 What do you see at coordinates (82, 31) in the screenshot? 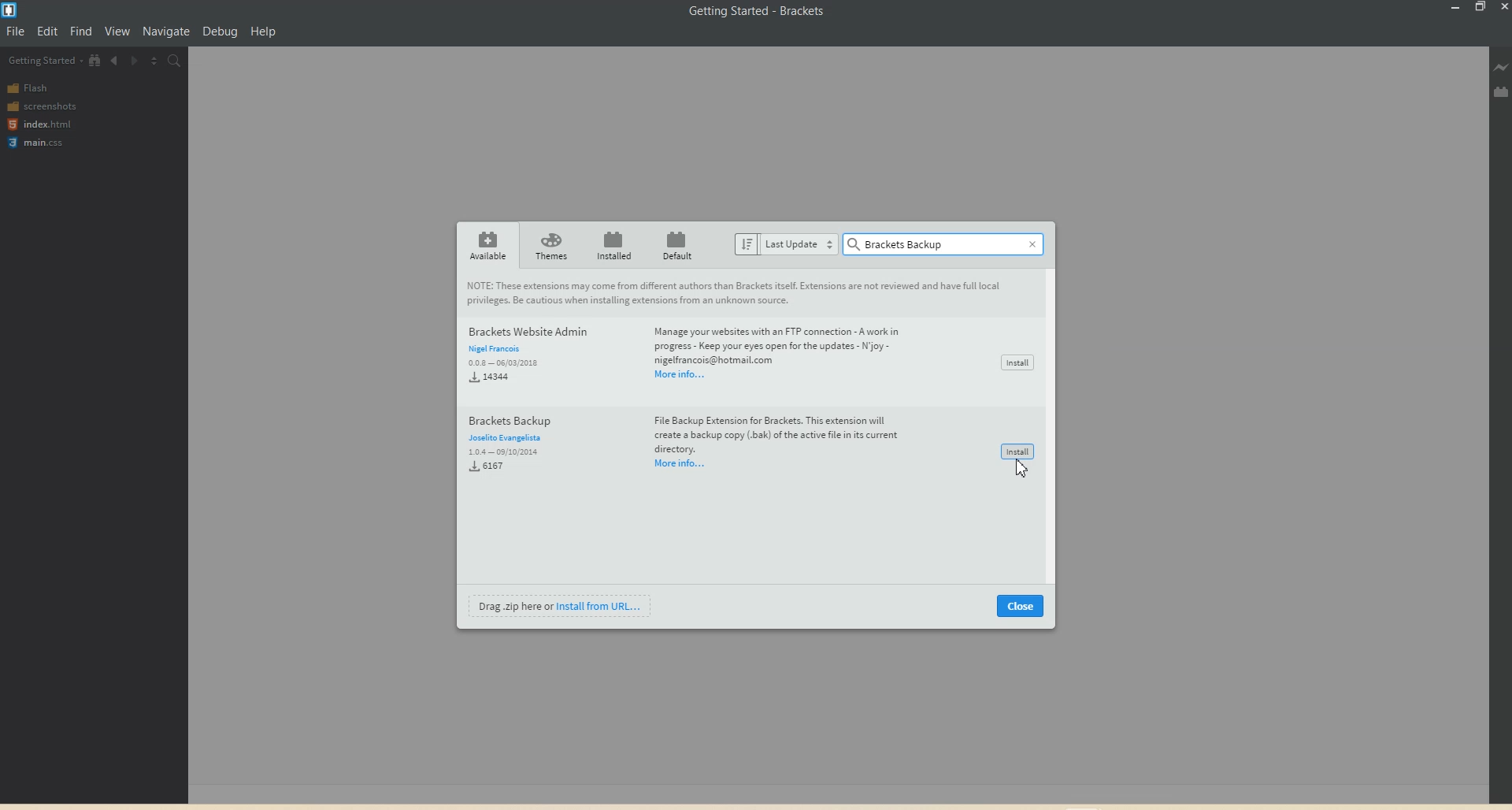
I see `Find` at bounding box center [82, 31].